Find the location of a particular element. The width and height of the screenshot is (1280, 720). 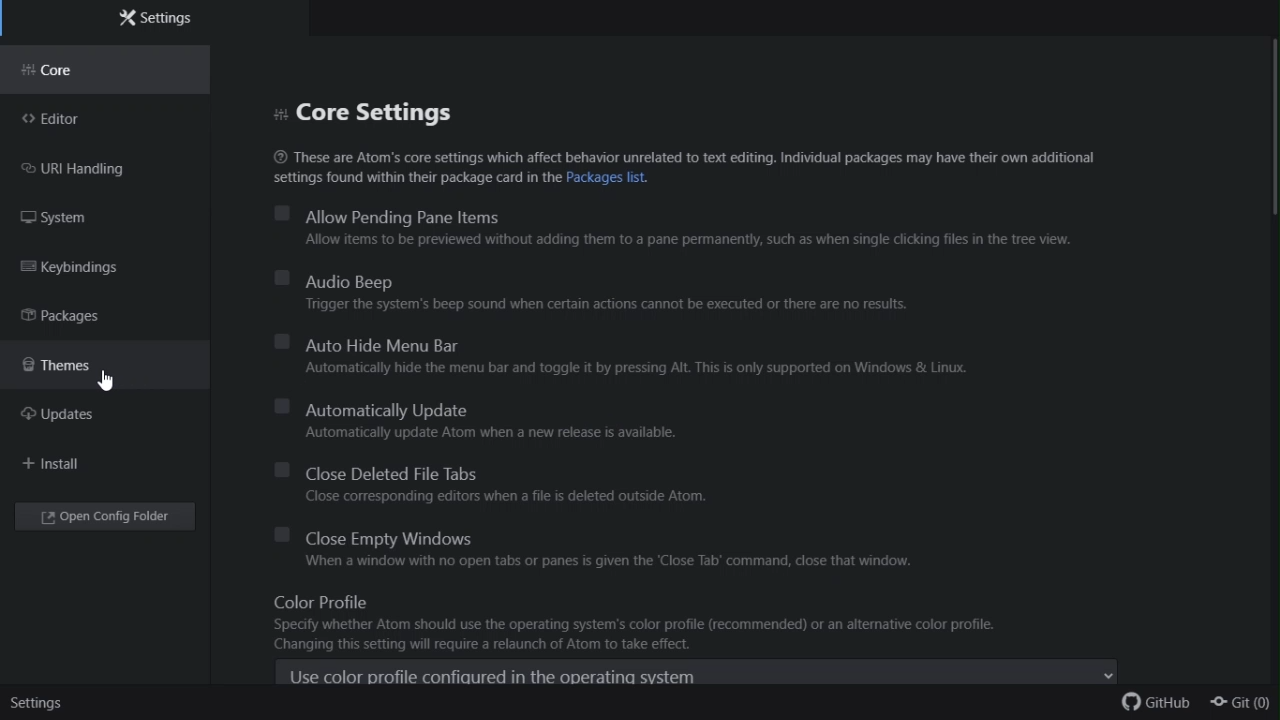

settings is located at coordinates (40, 703).